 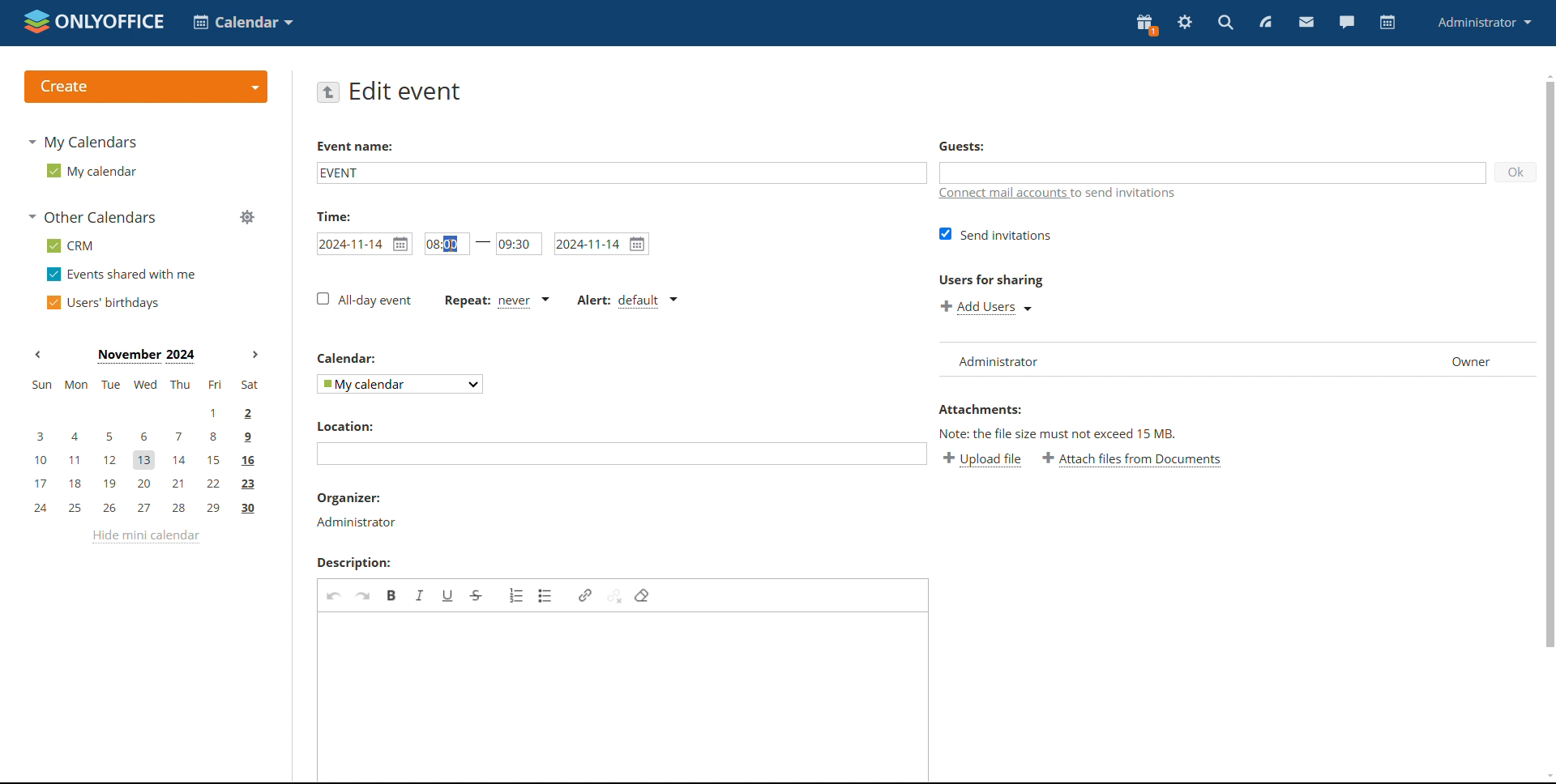 I want to click on other calendars, so click(x=94, y=217).